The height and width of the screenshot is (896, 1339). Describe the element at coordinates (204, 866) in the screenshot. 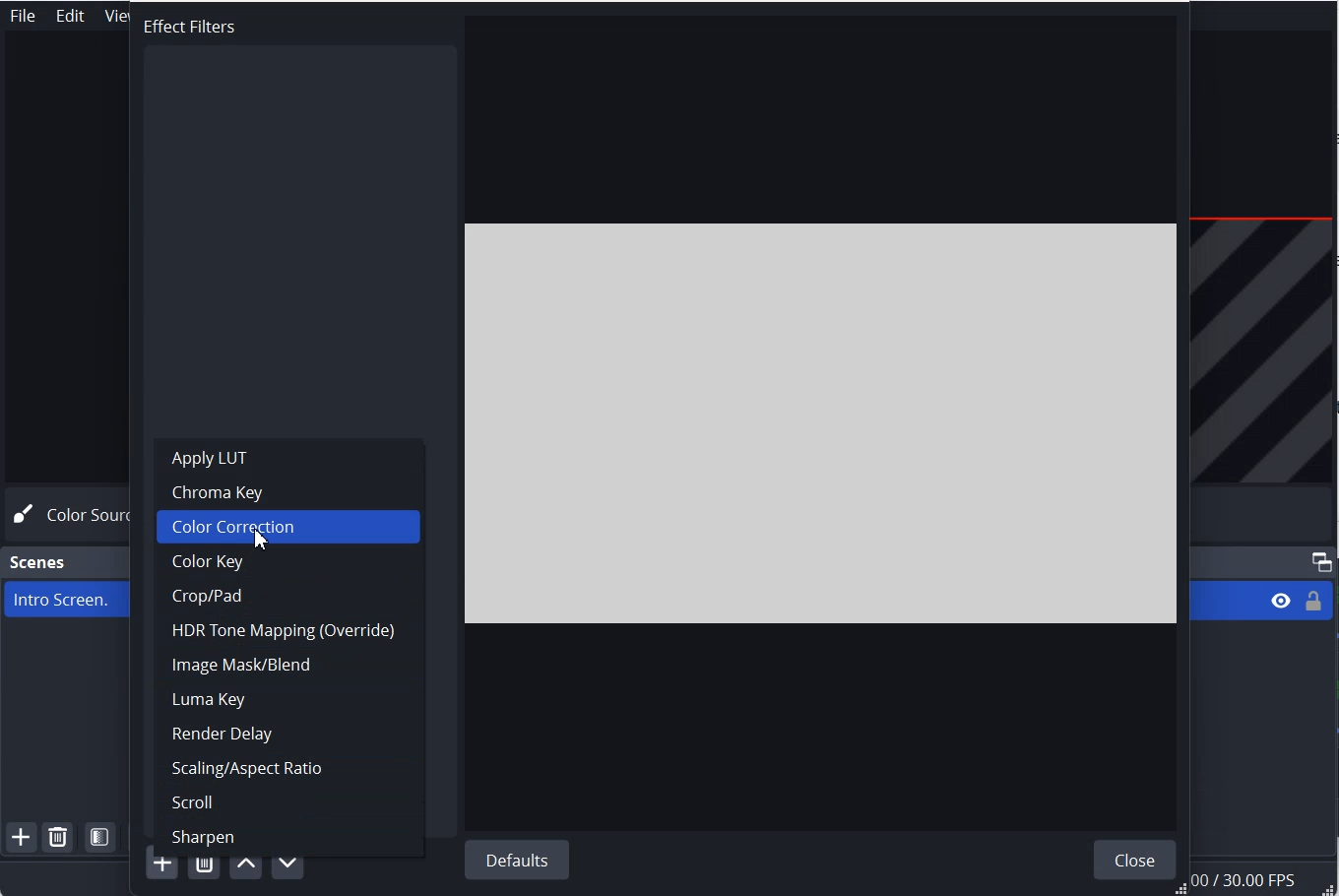

I see `Remove selected filter` at that location.